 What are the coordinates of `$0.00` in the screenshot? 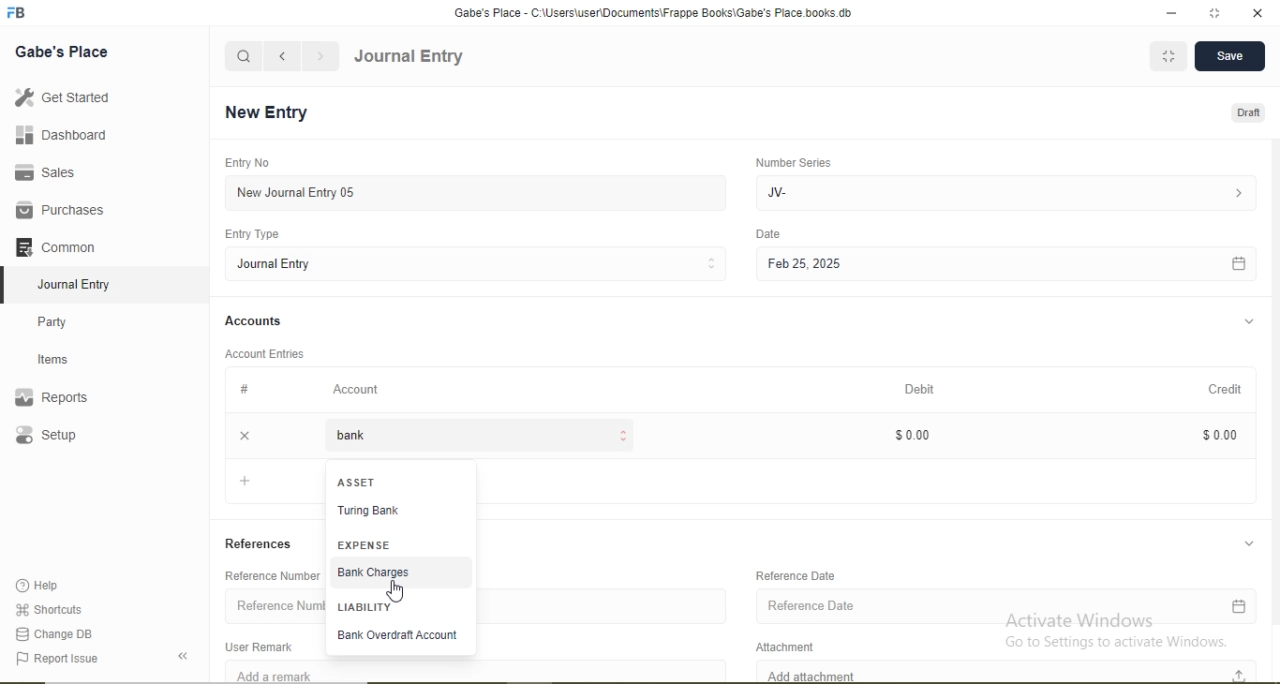 It's located at (1212, 434).